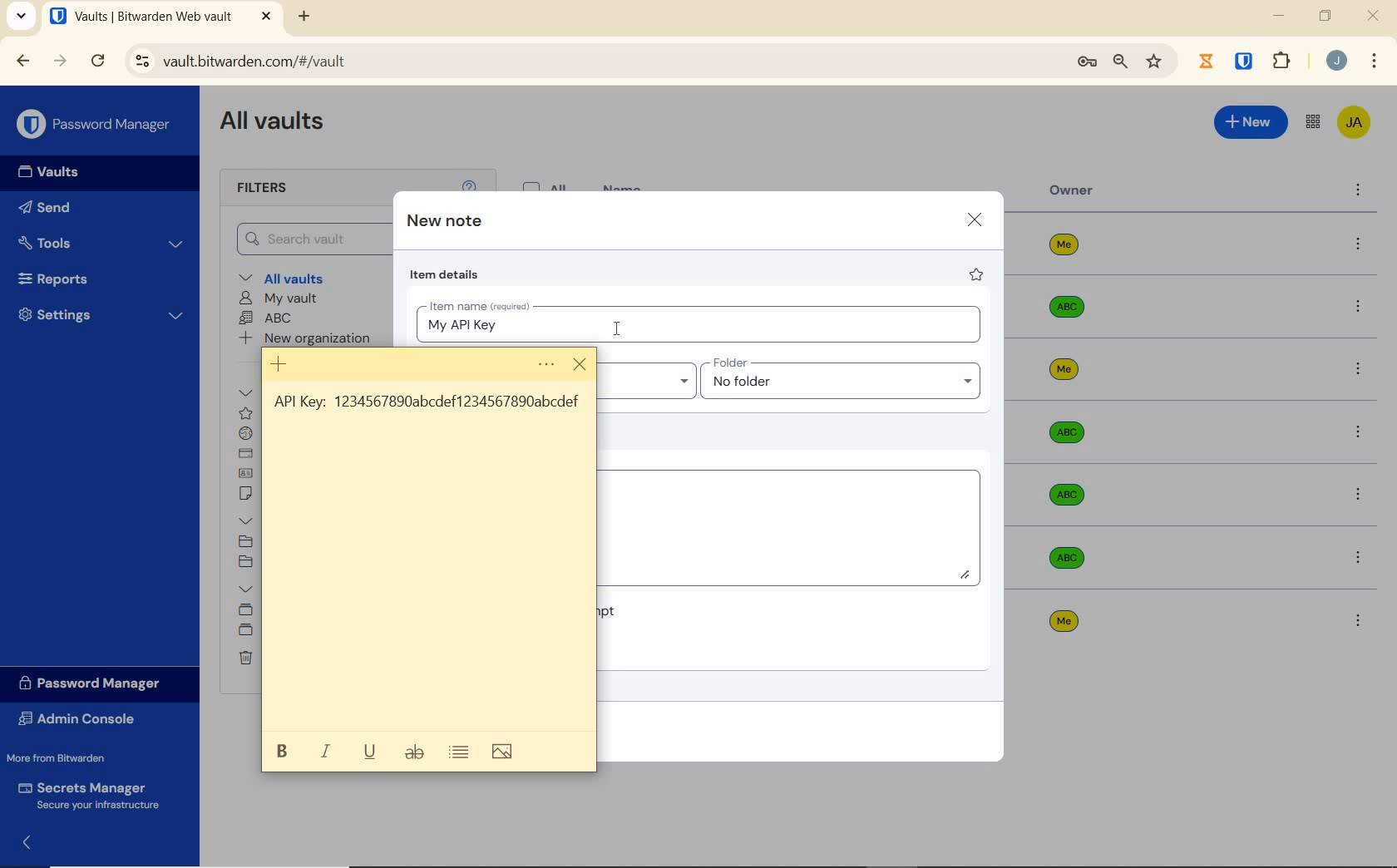 The width and height of the screenshot is (1397, 868). I want to click on Jibril Extension, so click(1208, 61).